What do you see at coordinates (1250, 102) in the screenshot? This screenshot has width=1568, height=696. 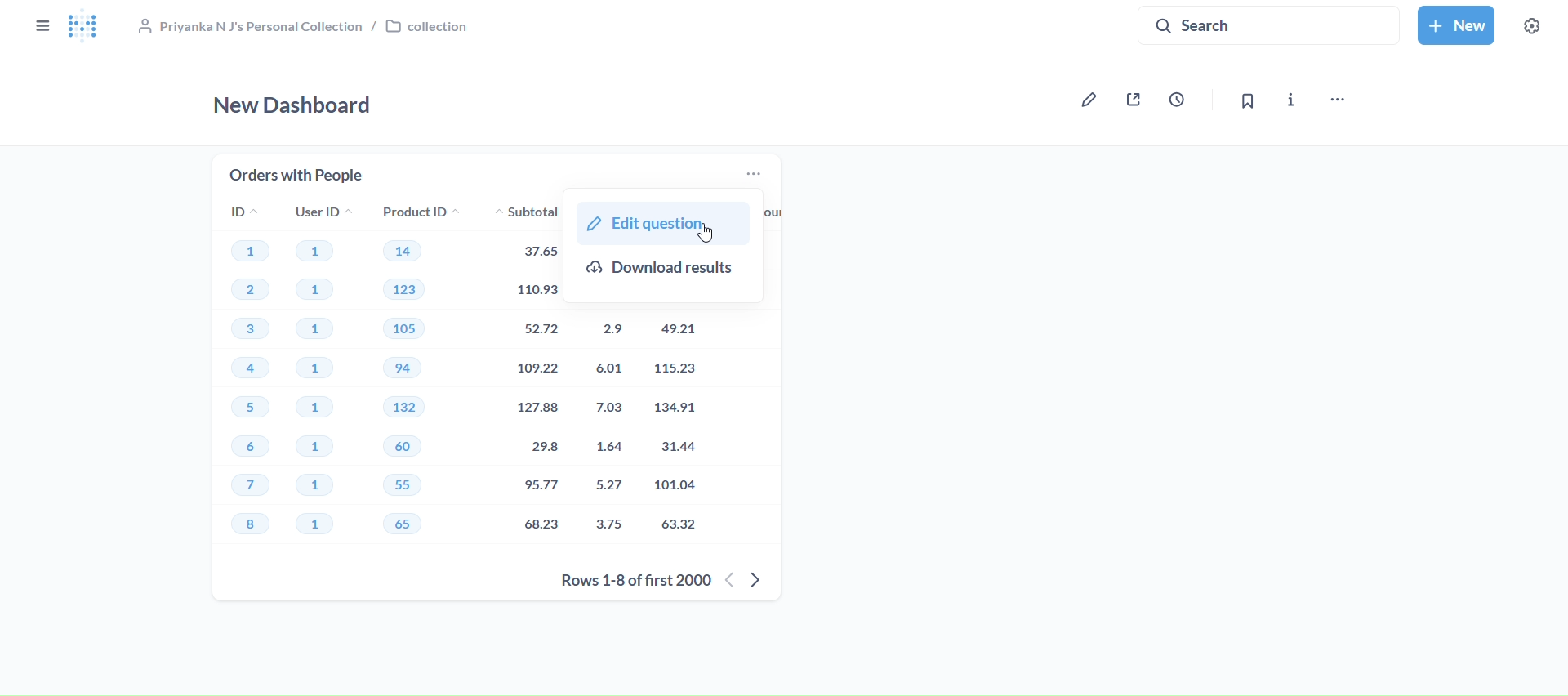 I see `bookmark` at bounding box center [1250, 102].